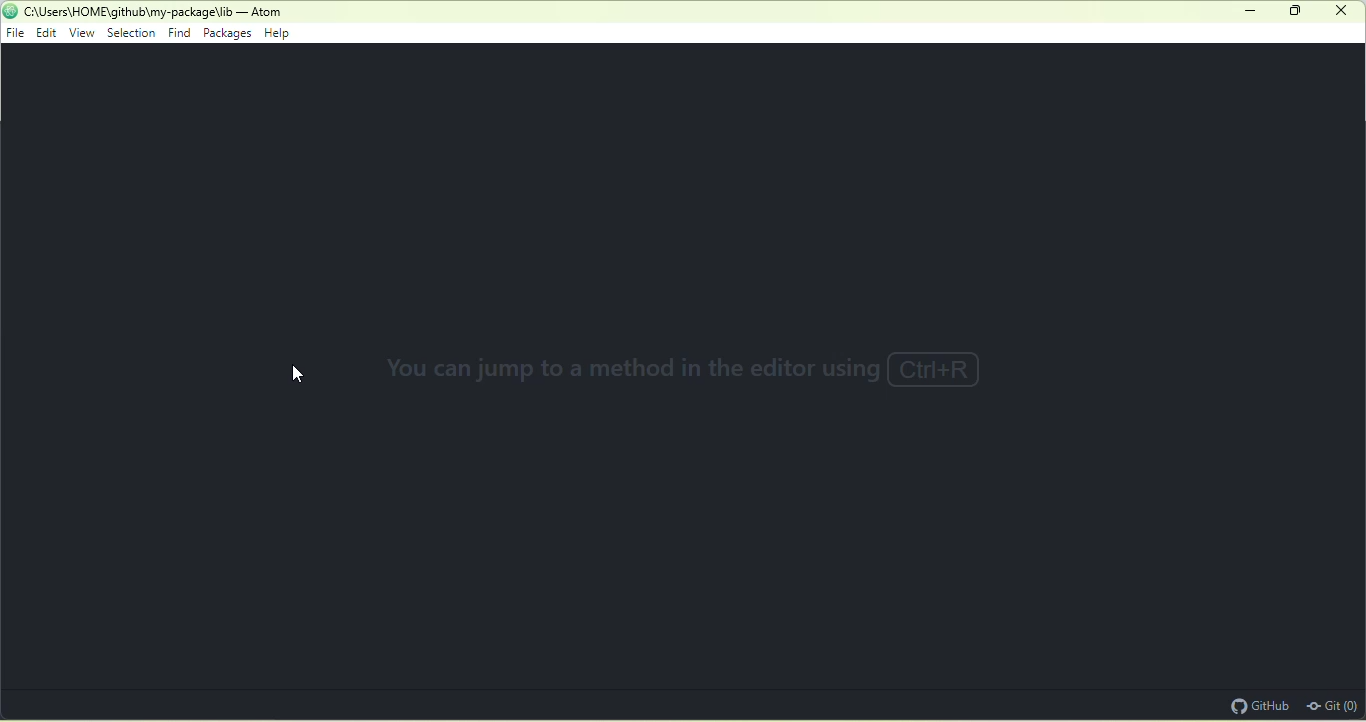 This screenshot has width=1366, height=722. Describe the element at coordinates (1252, 12) in the screenshot. I see `minimize` at that location.